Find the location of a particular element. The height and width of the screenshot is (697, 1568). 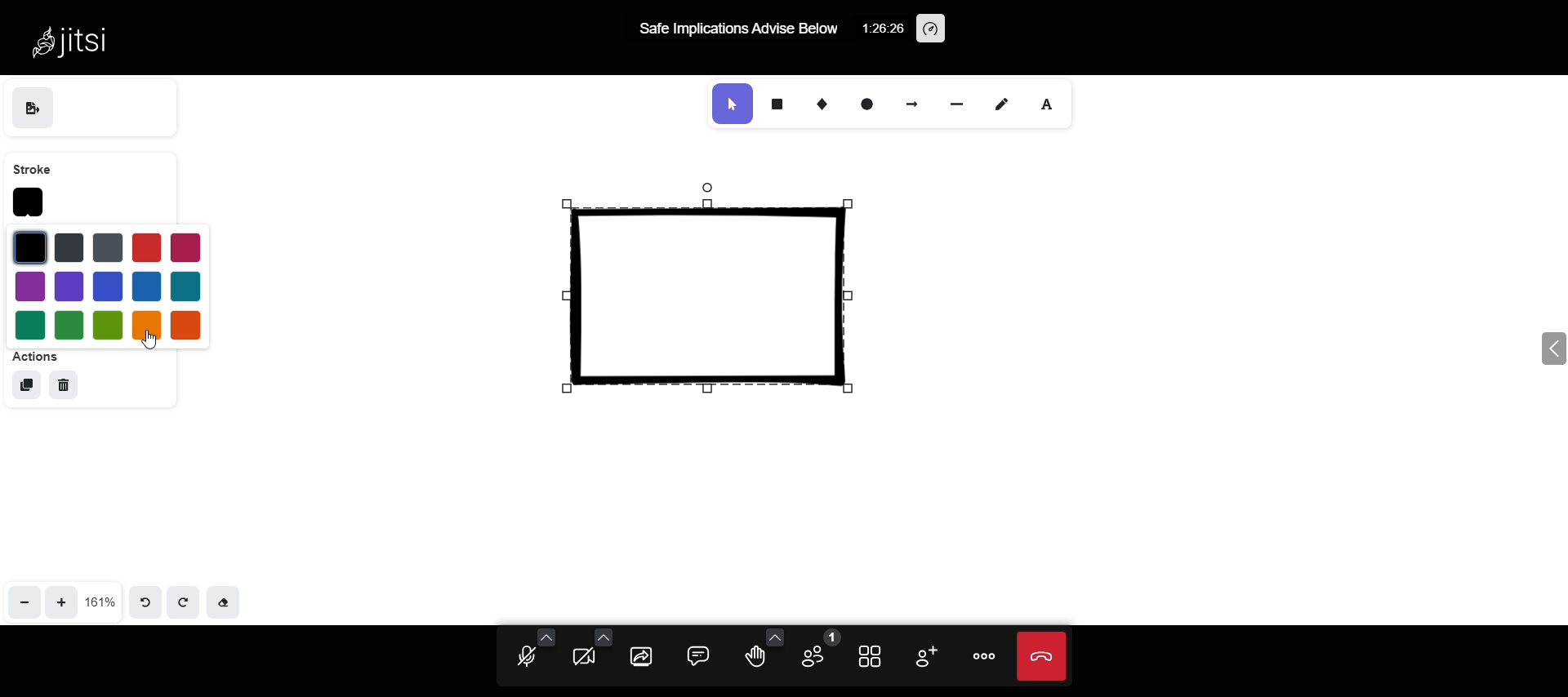

unmute mic is located at coordinates (523, 660).